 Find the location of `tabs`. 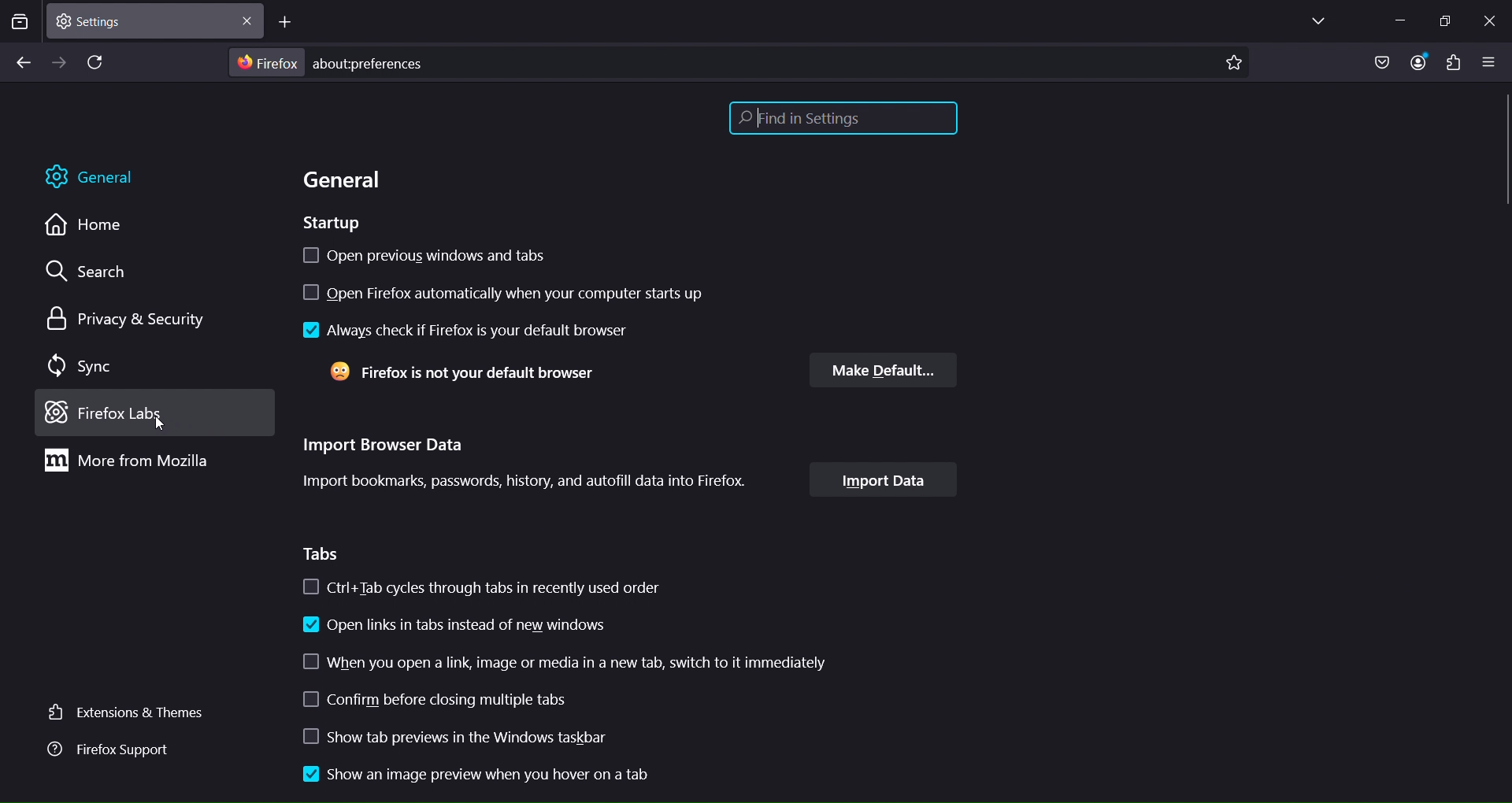

tabs is located at coordinates (324, 554).